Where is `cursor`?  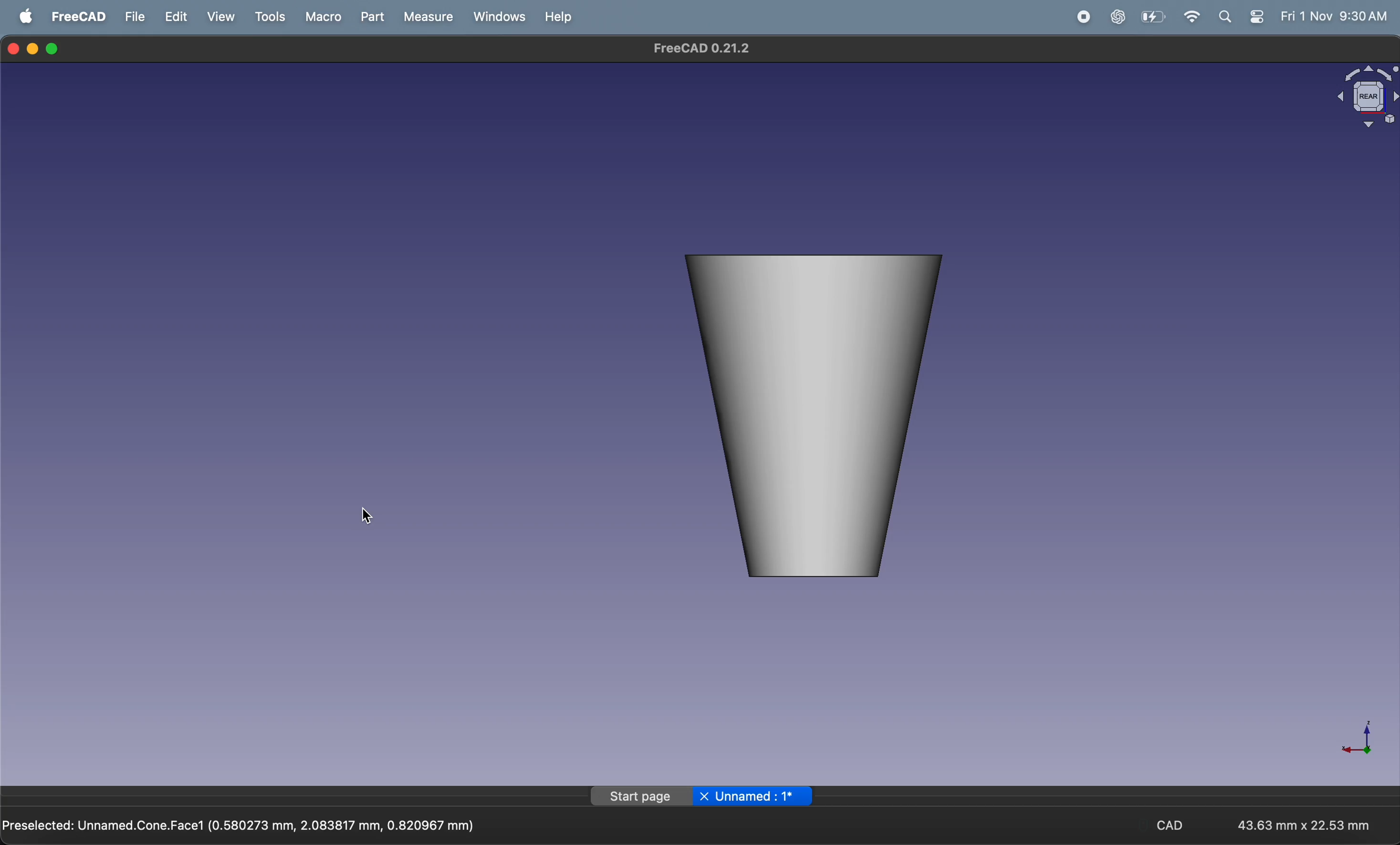 cursor is located at coordinates (371, 518).